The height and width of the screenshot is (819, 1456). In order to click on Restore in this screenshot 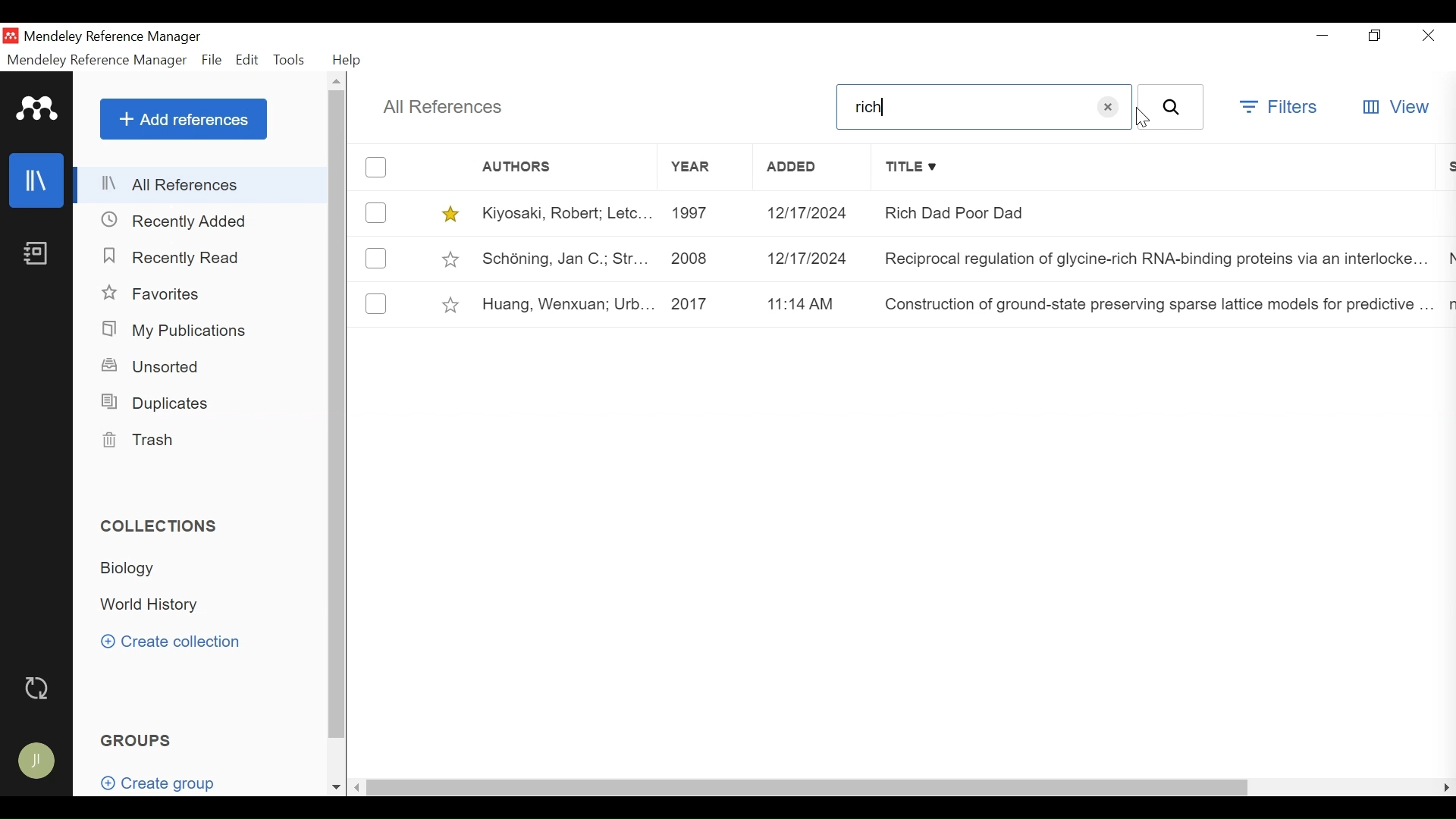, I will do `click(1375, 36)`.